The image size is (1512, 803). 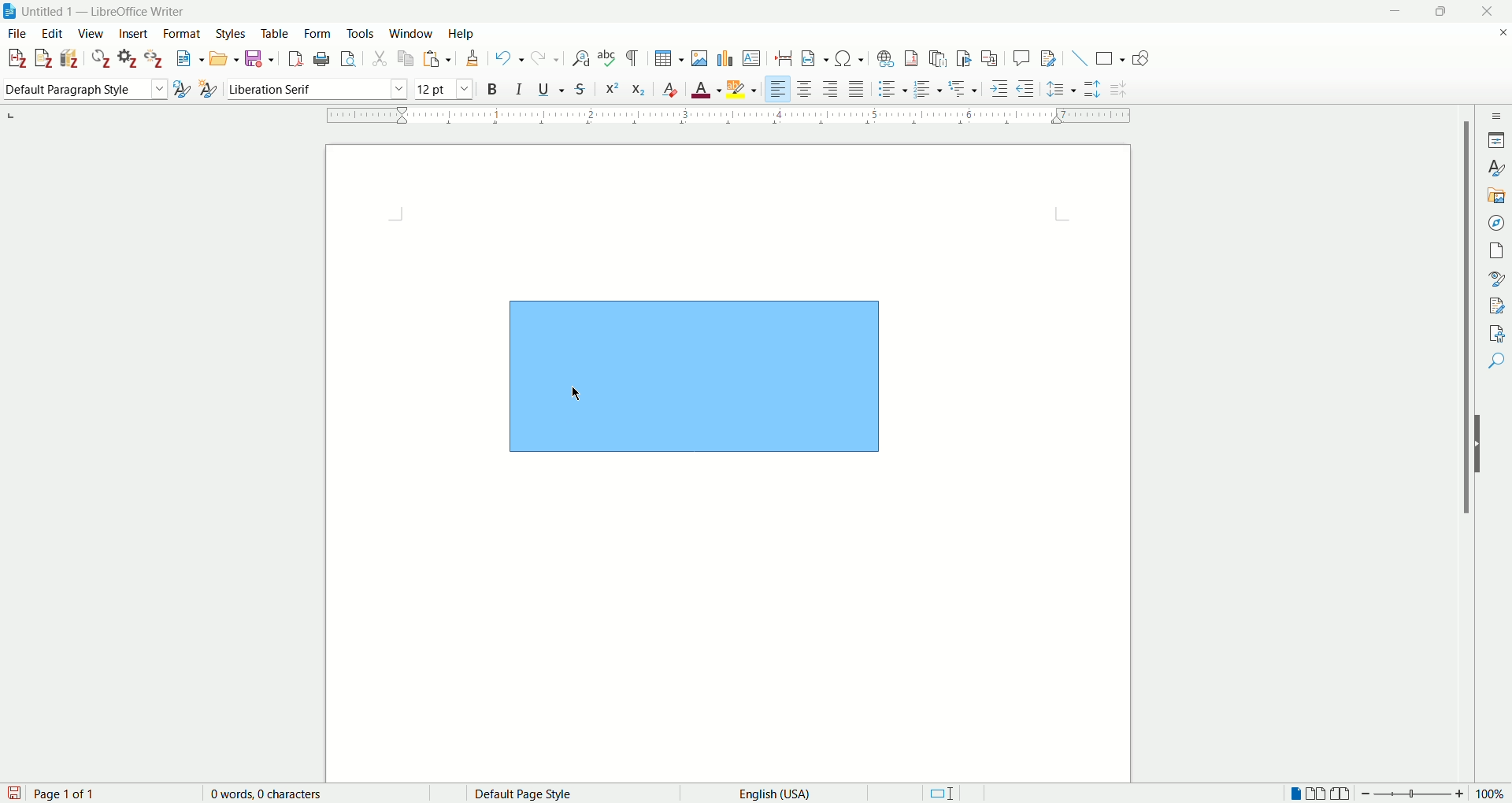 What do you see at coordinates (963, 88) in the screenshot?
I see `select outline format` at bounding box center [963, 88].